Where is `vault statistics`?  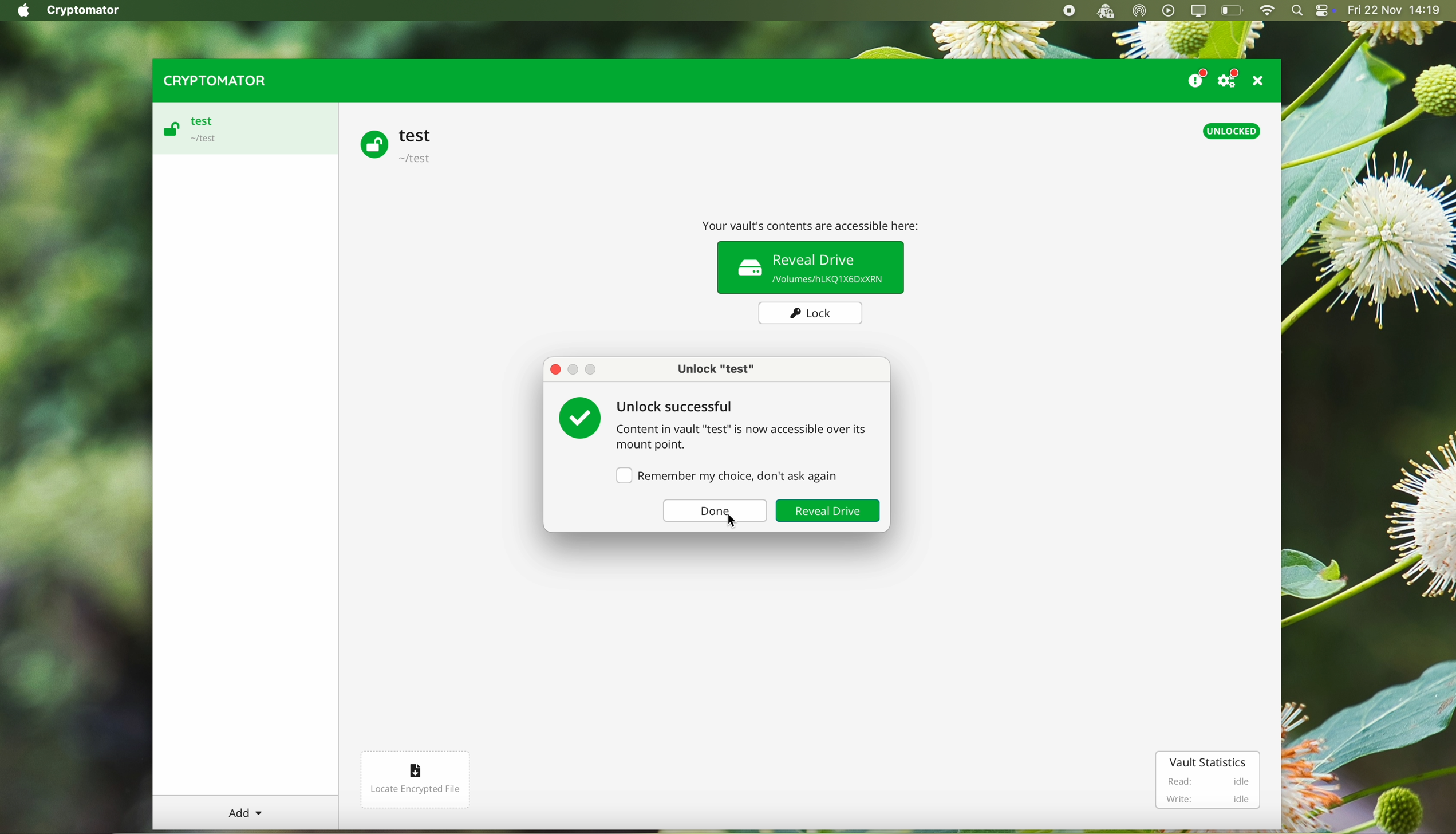
vault statistics is located at coordinates (1206, 761).